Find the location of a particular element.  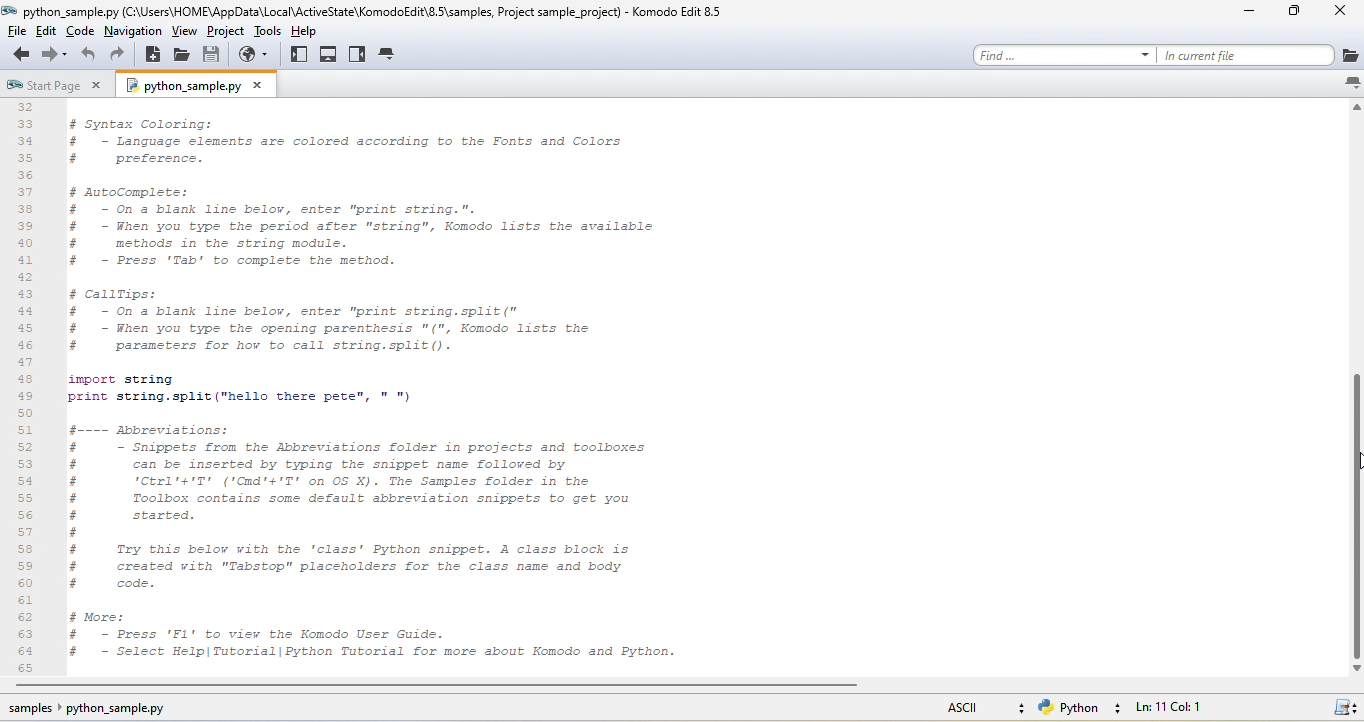

cursor is located at coordinates (1355, 468).